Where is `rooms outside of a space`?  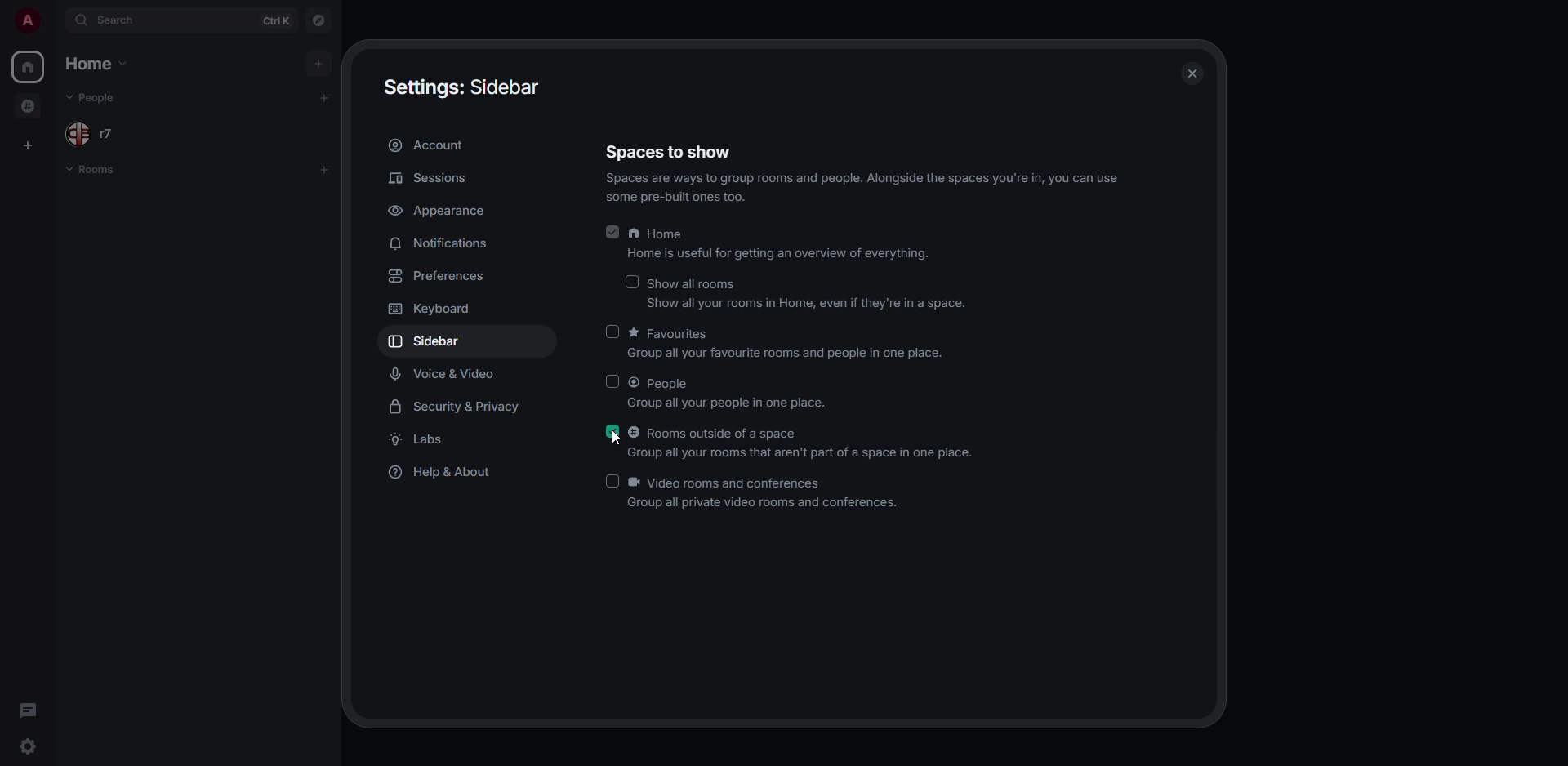
rooms outside of a space is located at coordinates (800, 444).